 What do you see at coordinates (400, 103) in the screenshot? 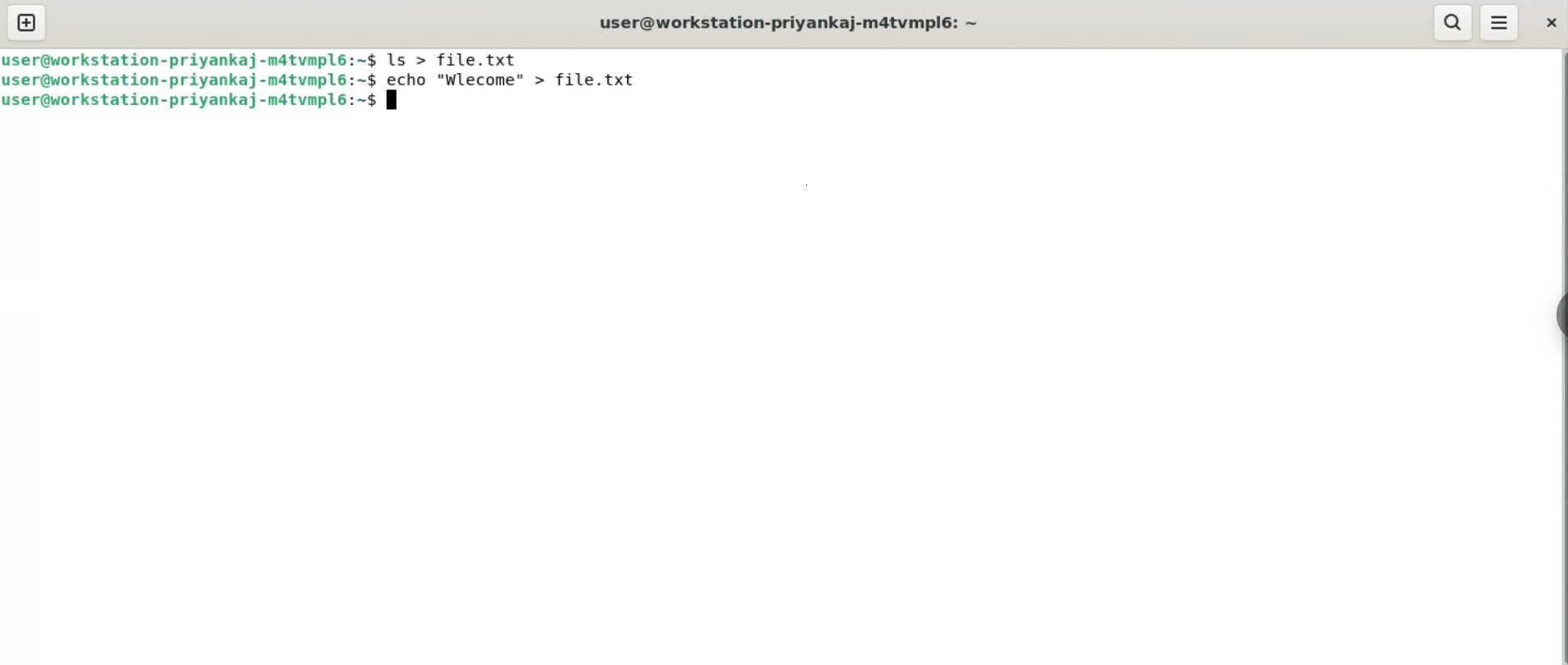
I see `Cursor` at bounding box center [400, 103].